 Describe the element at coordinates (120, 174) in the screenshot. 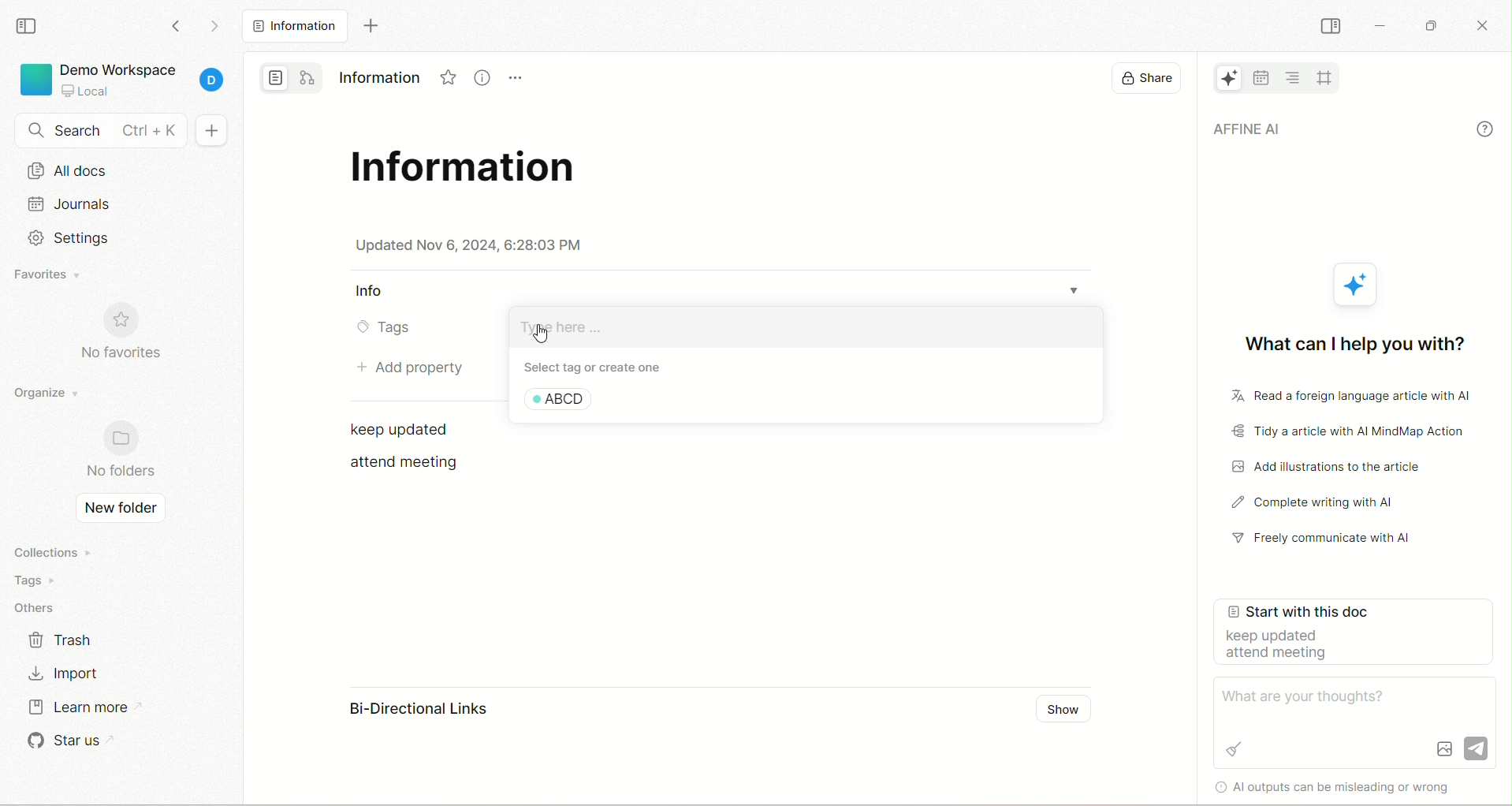

I see `all docs` at that location.